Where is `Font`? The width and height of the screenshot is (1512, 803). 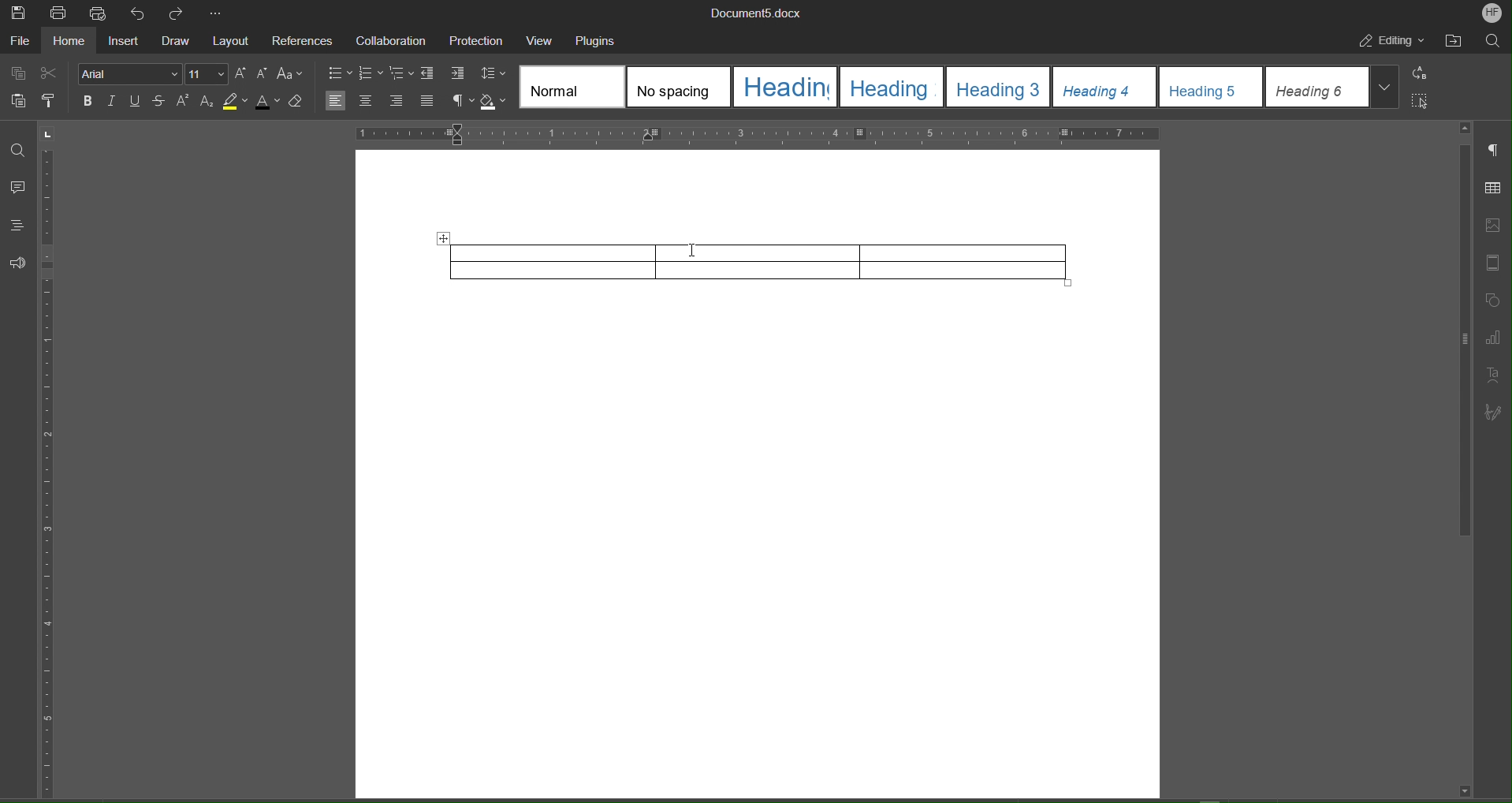
Font is located at coordinates (128, 75).